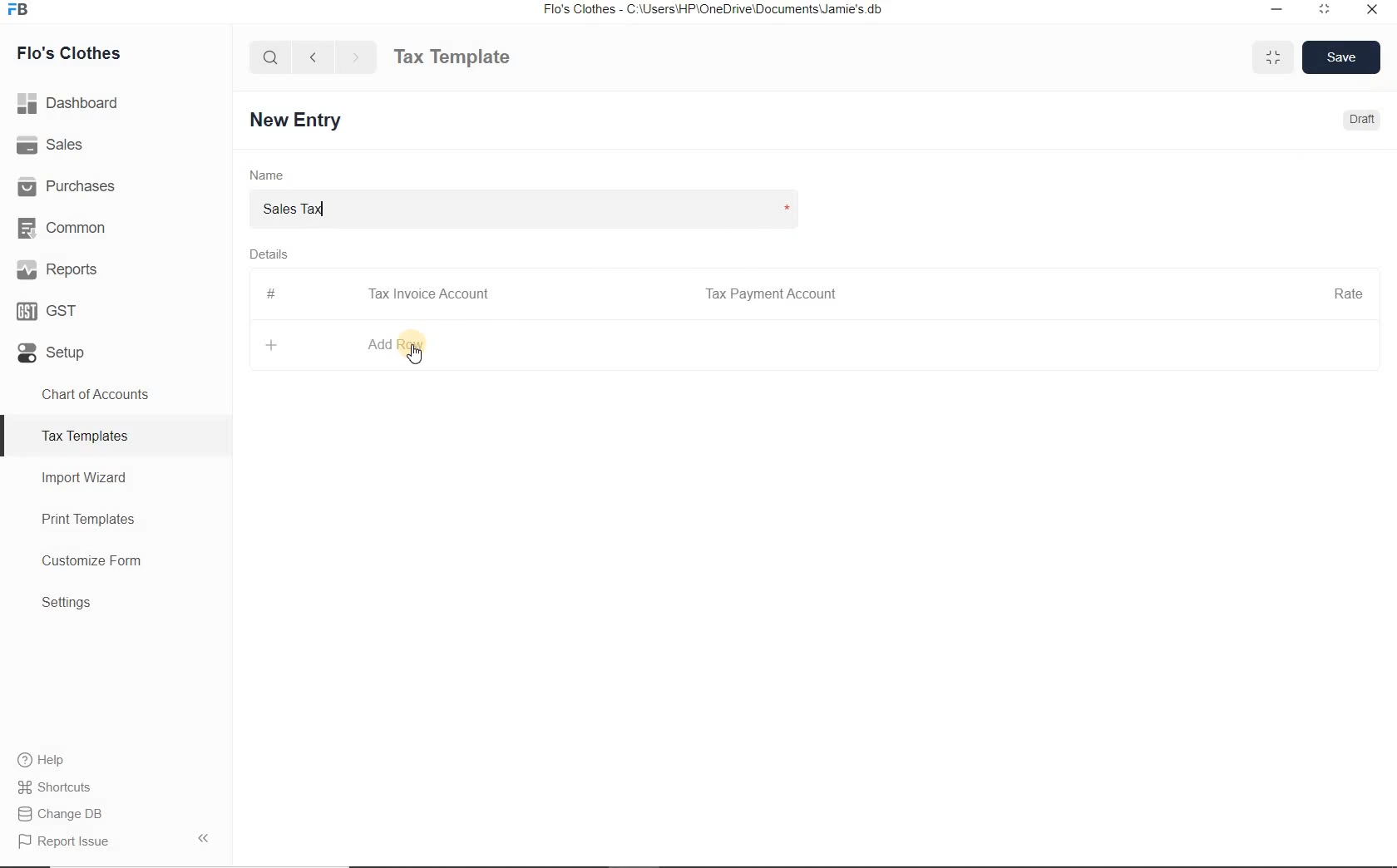 The image size is (1397, 868). I want to click on New Entry, so click(299, 121).